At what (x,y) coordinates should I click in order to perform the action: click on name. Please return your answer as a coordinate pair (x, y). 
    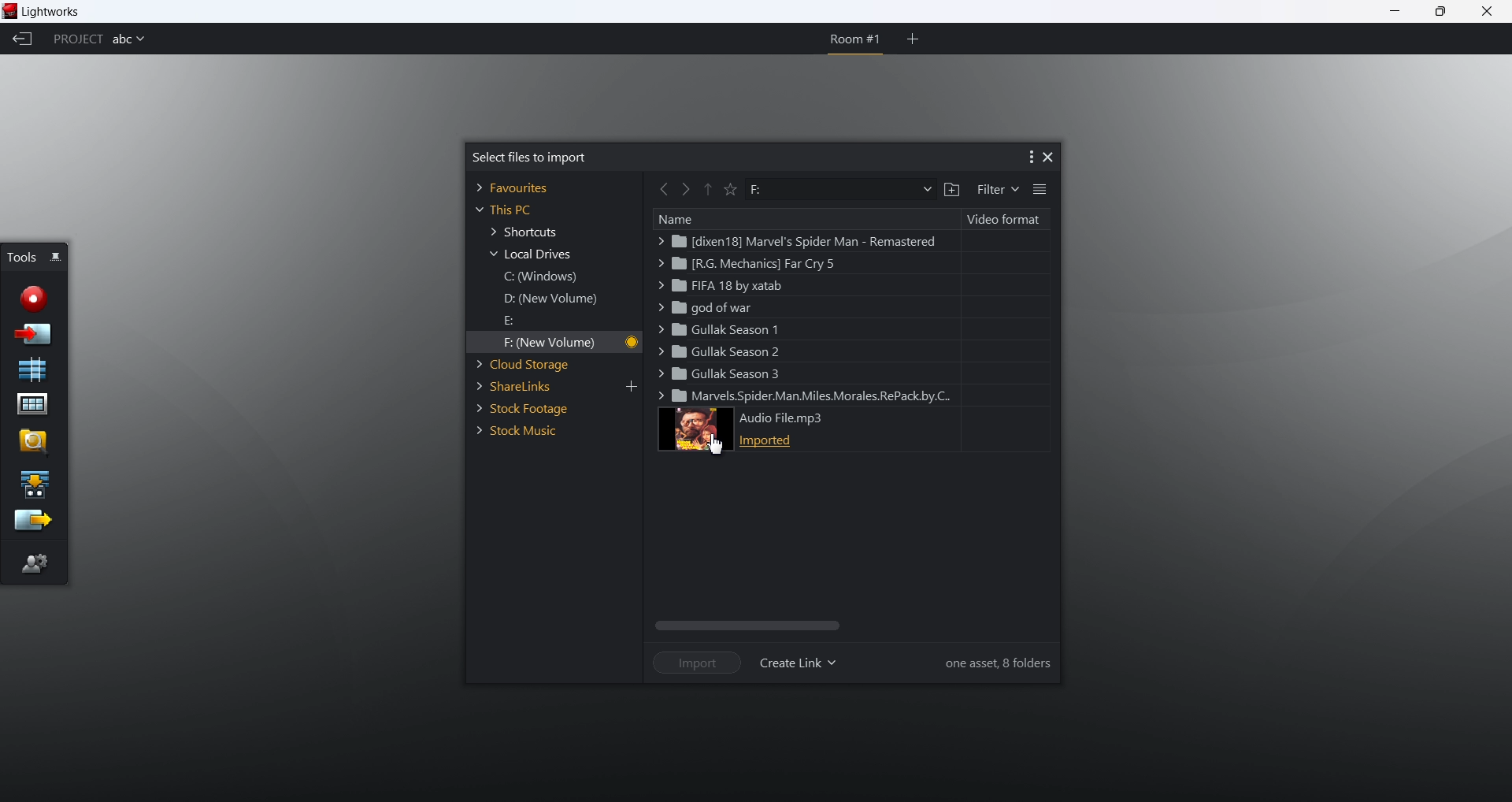
    Looking at the image, I should click on (678, 217).